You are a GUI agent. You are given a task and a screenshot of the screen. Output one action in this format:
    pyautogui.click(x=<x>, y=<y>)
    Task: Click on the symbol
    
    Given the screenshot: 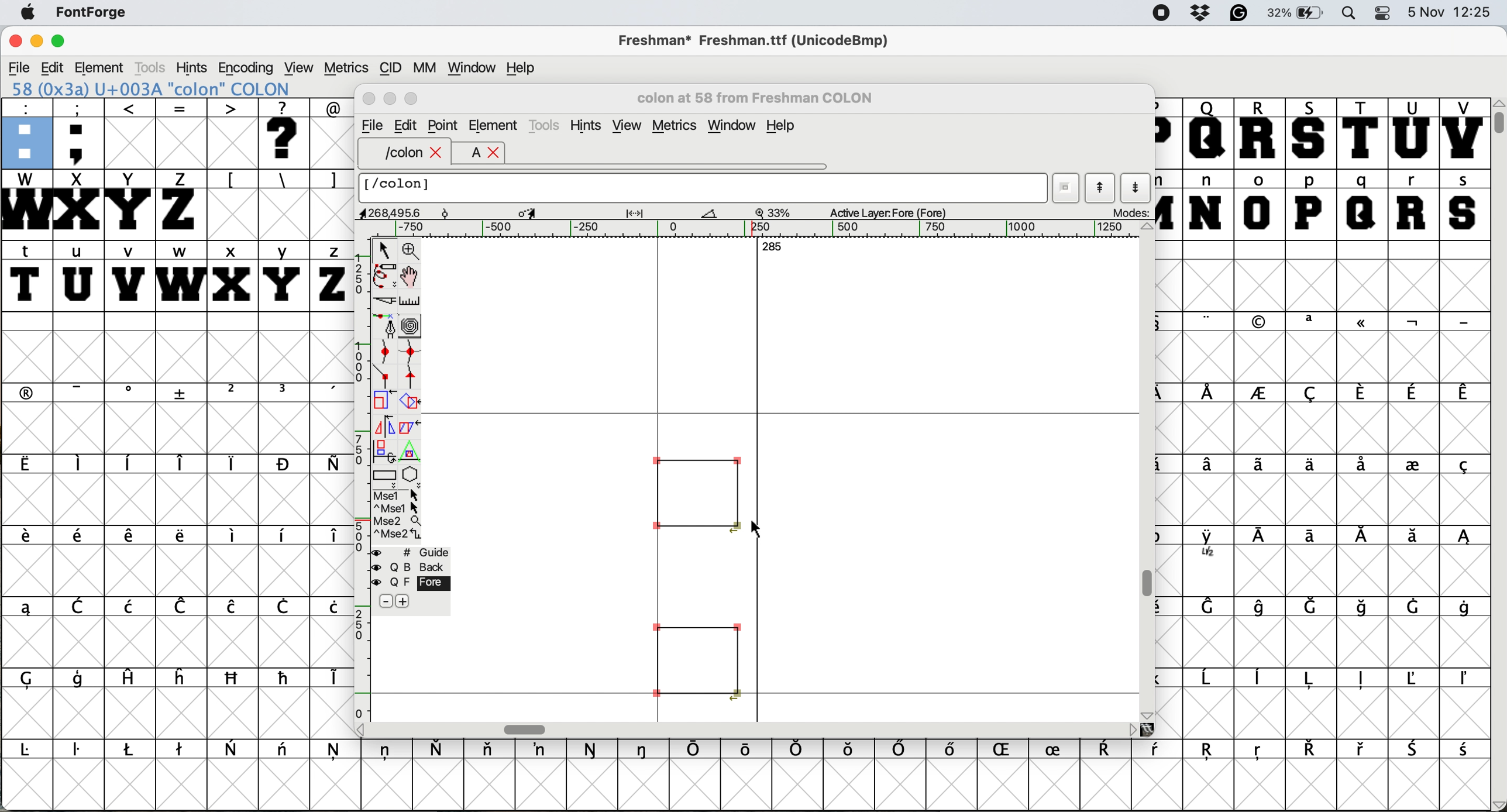 What is the action you would take?
    pyautogui.click(x=1464, y=394)
    